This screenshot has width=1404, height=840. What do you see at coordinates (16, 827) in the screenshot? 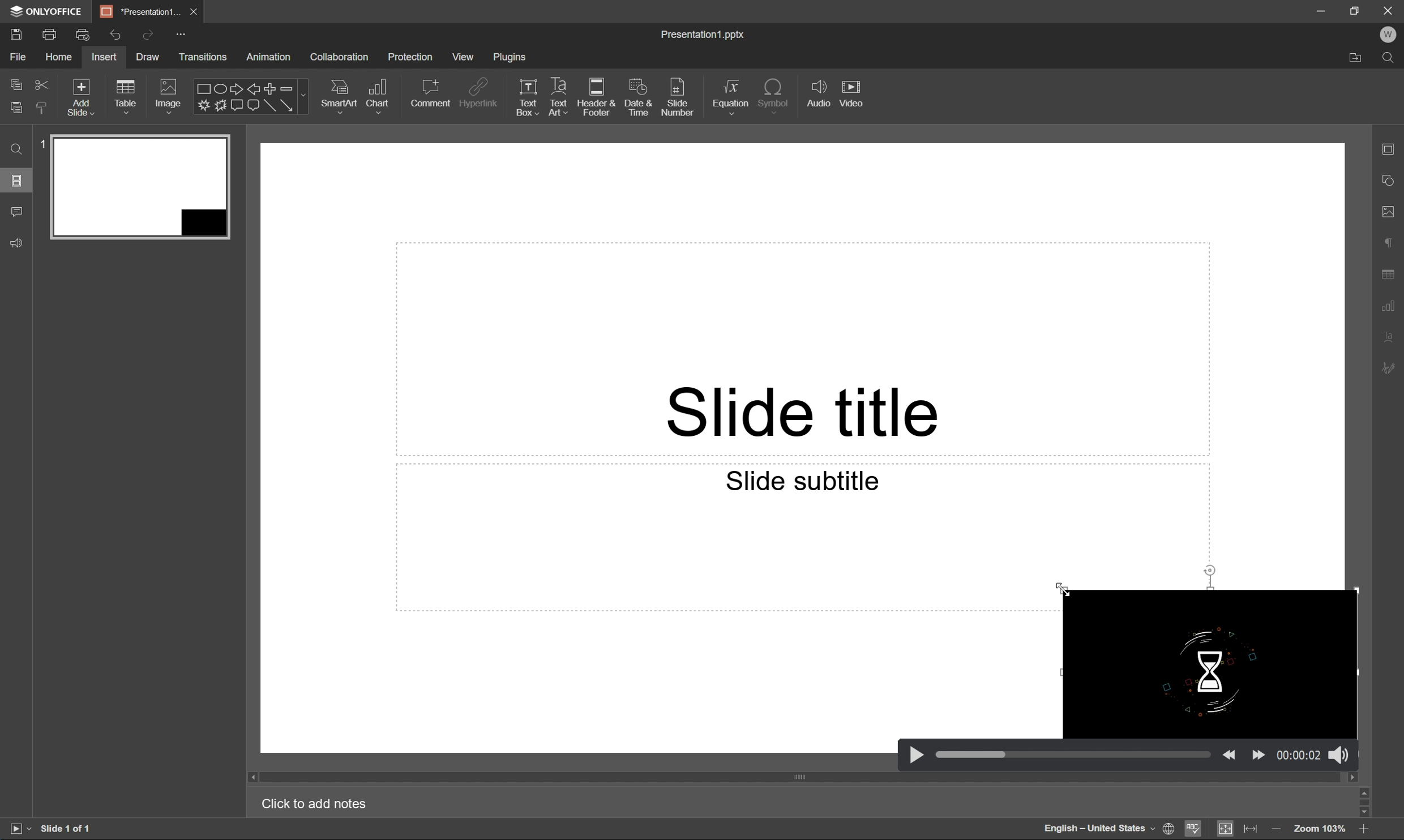
I see `start slideshow` at bounding box center [16, 827].